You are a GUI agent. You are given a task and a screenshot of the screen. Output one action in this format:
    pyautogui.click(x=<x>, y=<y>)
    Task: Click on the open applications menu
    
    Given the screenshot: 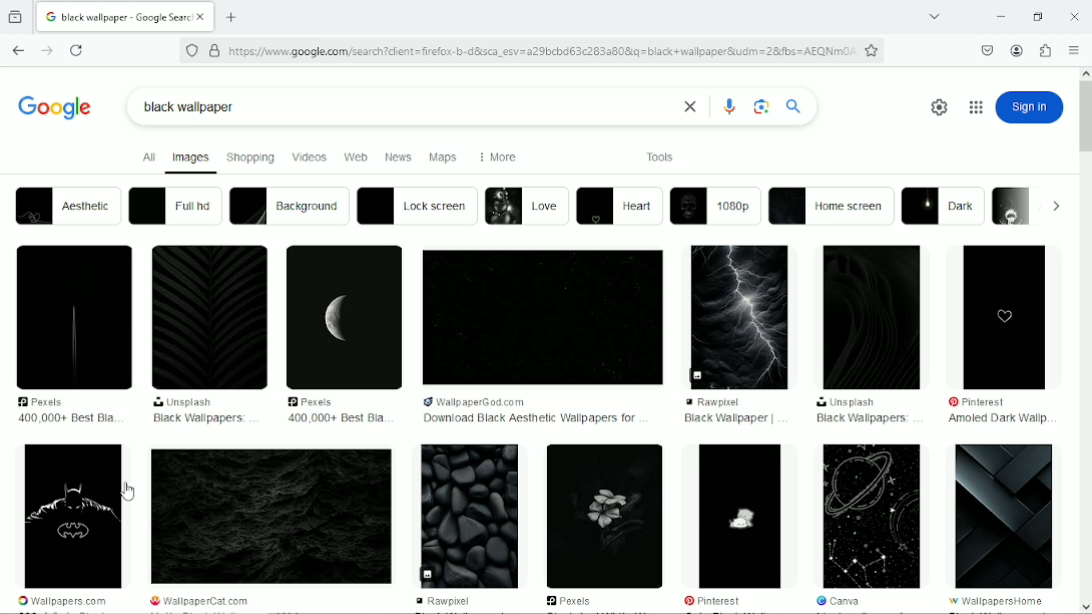 What is the action you would take?
    pyautogui.click(x=1074, y=51)
    